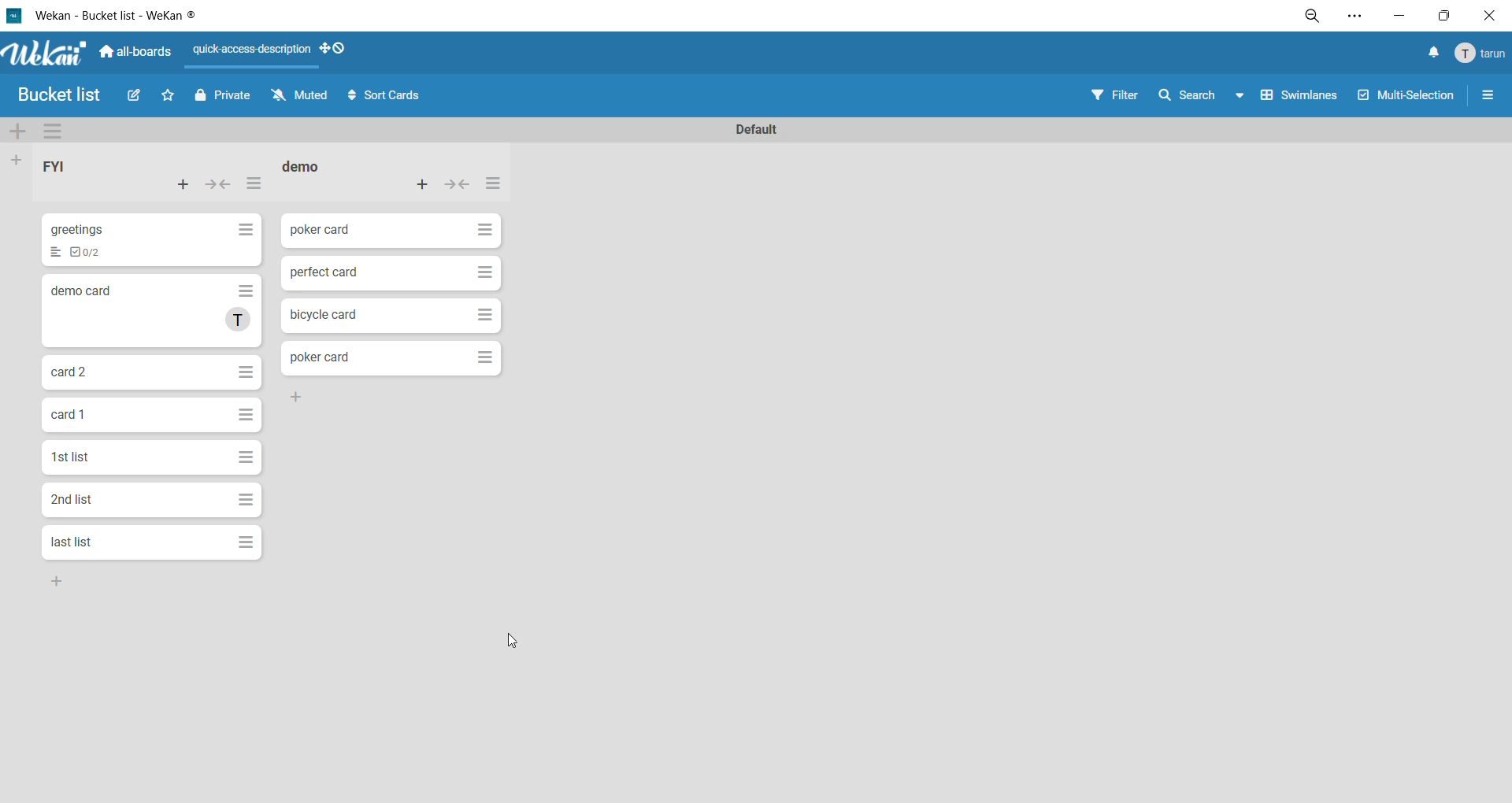 The height and width of the screenshot is (803, 1512). What do you see at coordinates (1429, 54) in the screenshot?
I see `notifications` at bounding box center [1429, 54].